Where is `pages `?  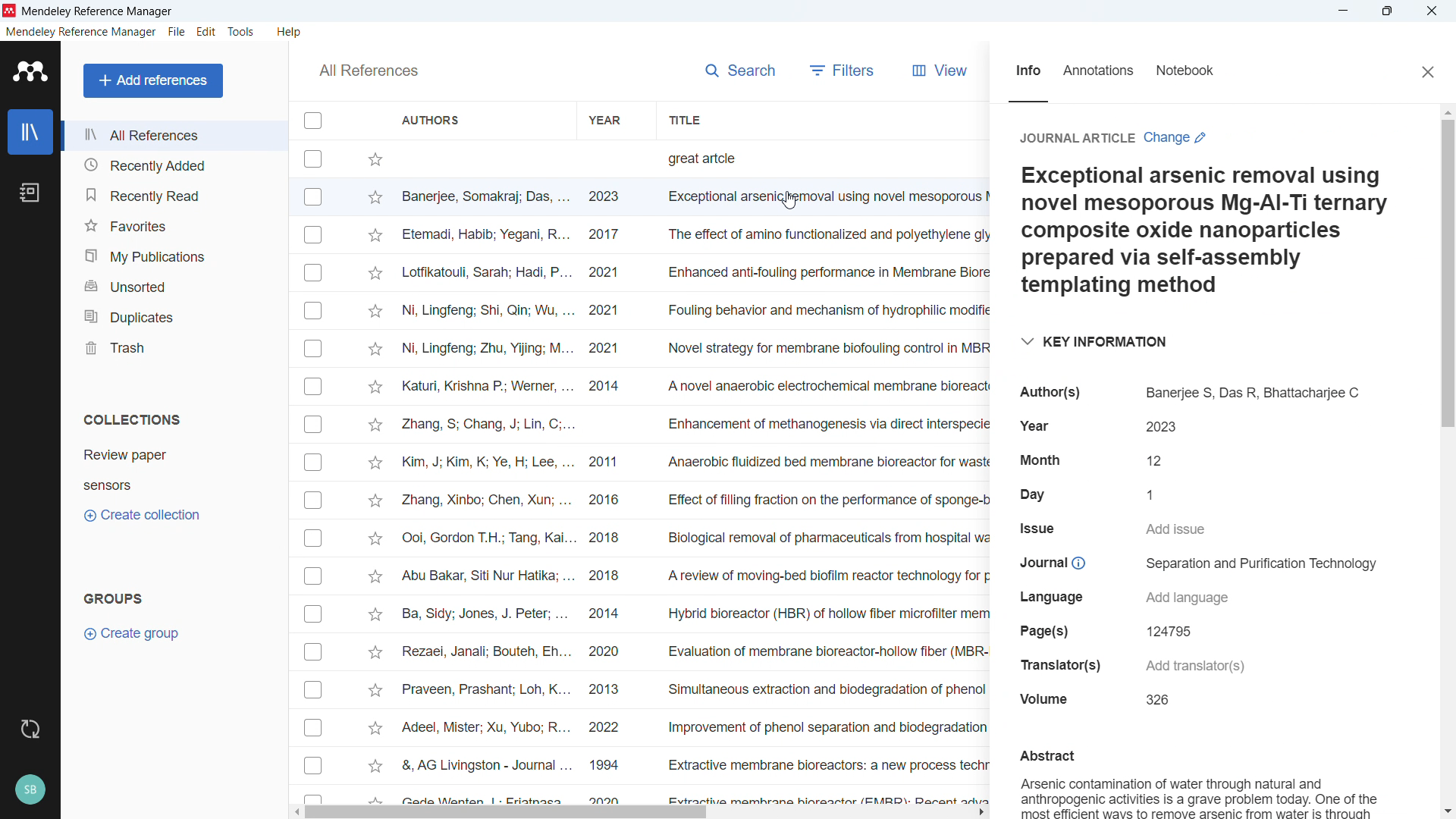
pages  is located at coordinates (1171, 632).